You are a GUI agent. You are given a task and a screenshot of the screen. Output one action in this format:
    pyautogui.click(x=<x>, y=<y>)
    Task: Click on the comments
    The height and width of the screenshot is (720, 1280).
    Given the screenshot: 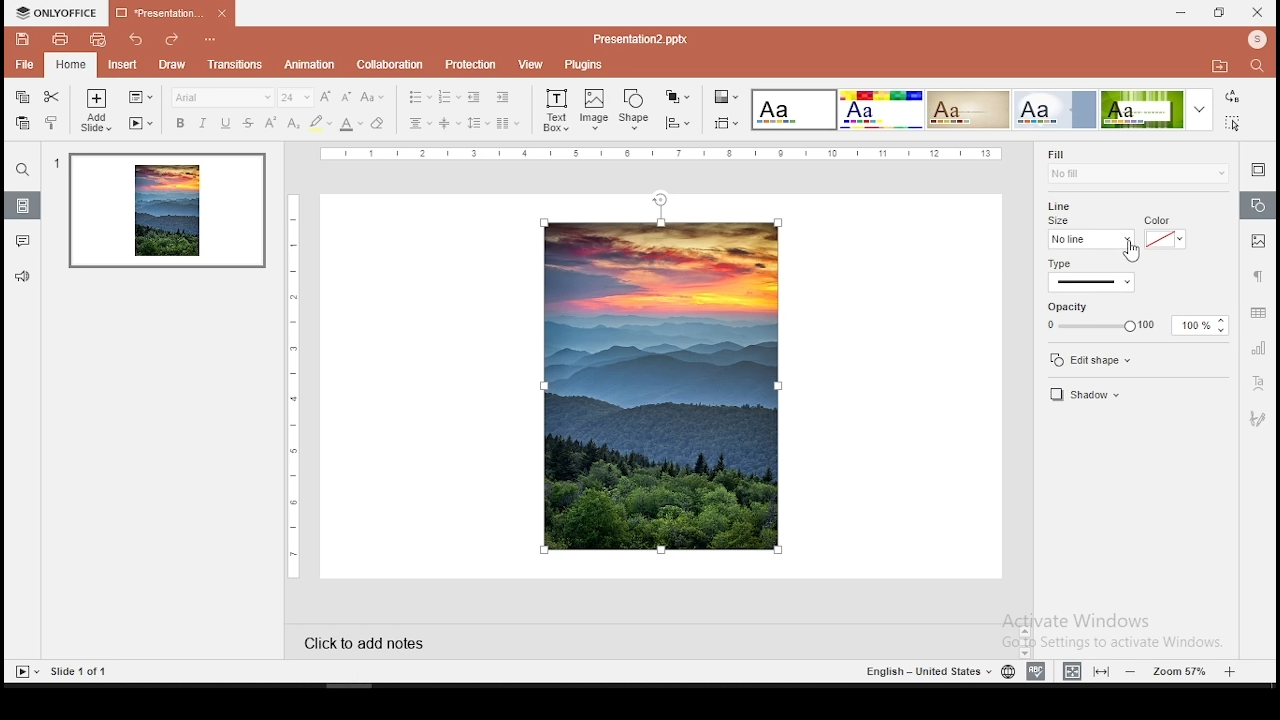 What is the action you would take?
    pyautogui.click(x=24, y=240)
    